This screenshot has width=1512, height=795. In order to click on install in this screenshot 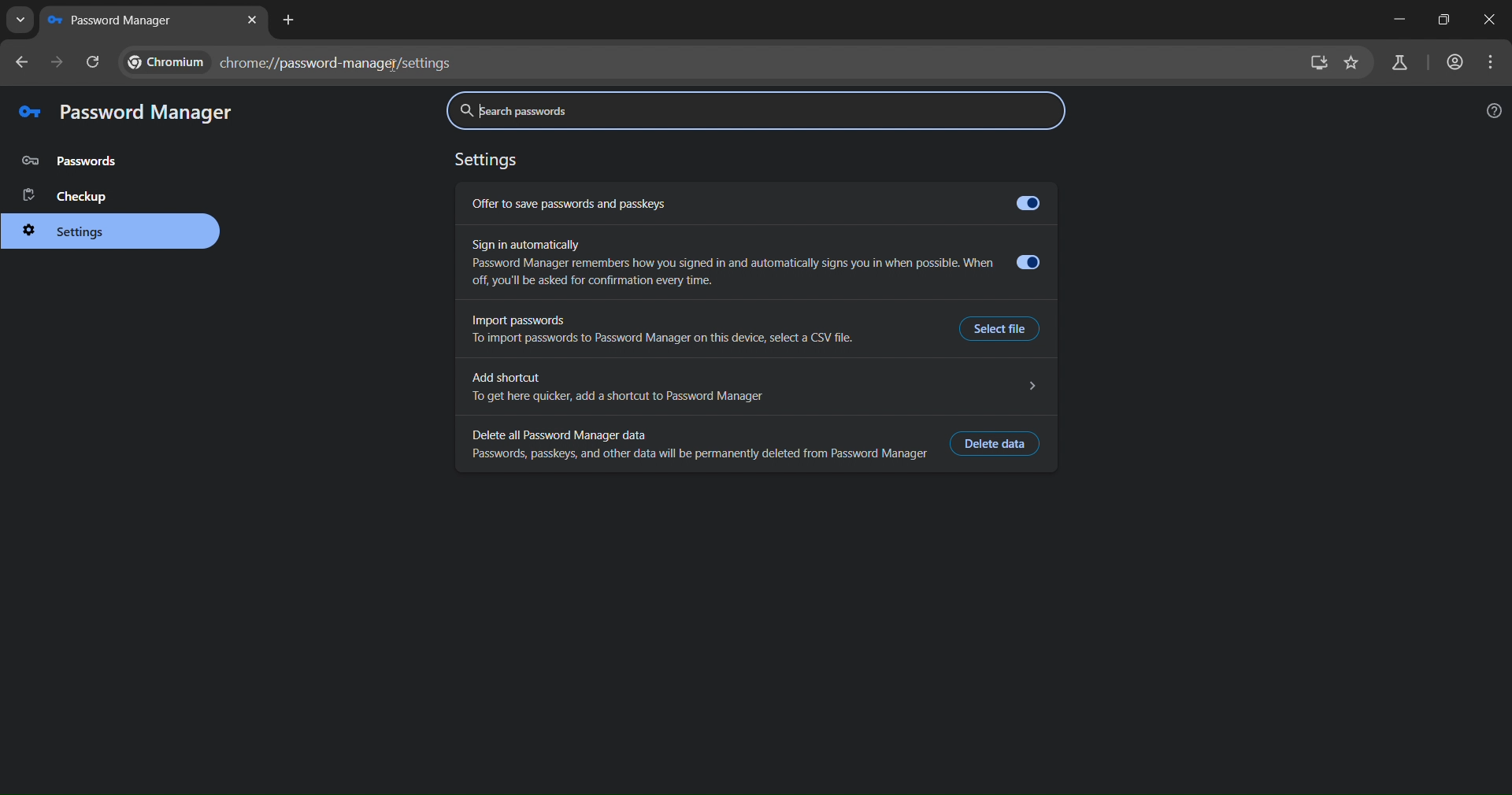, I will do `click(1317, 62)`.